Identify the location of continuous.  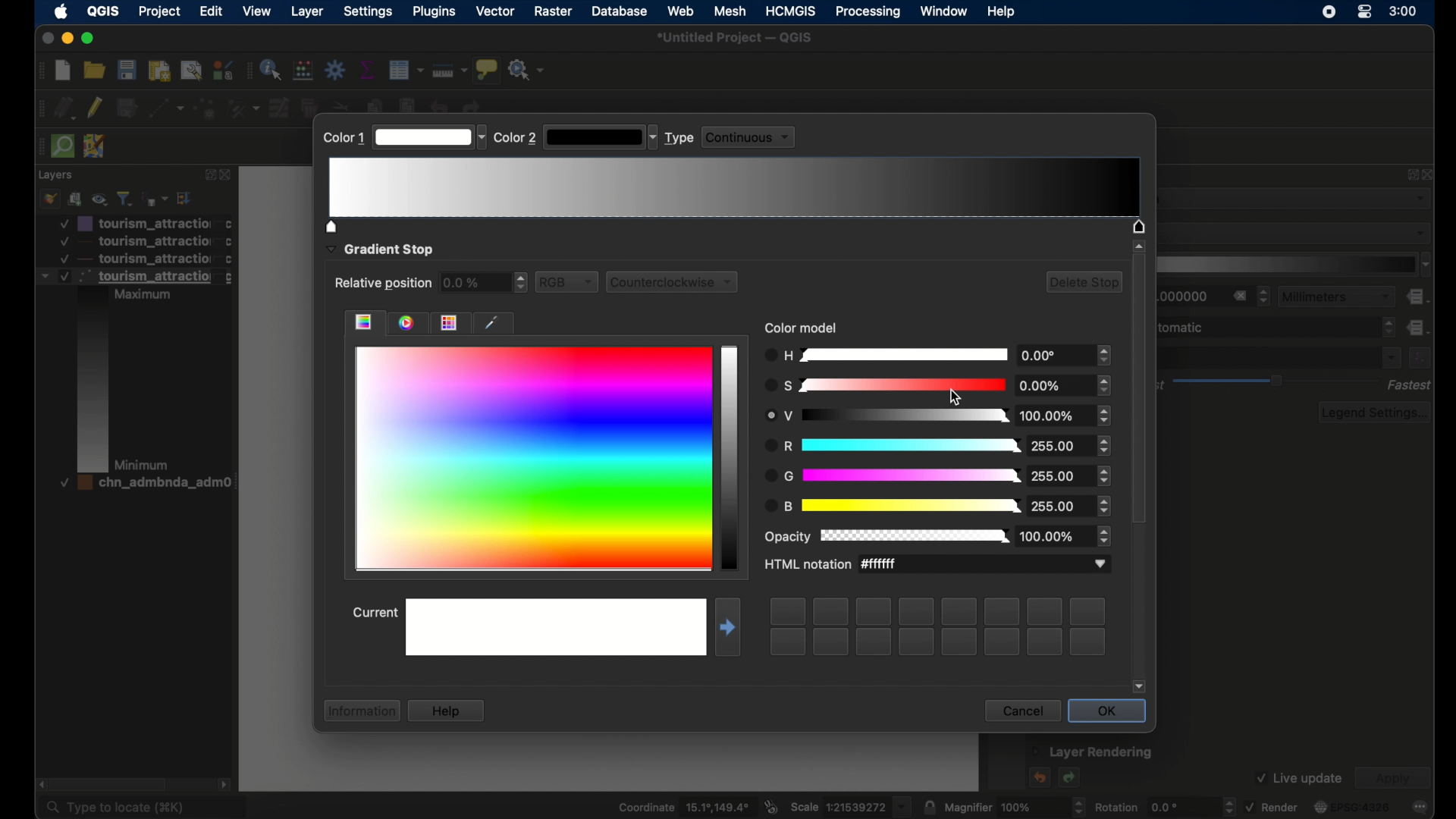
(752, 136).